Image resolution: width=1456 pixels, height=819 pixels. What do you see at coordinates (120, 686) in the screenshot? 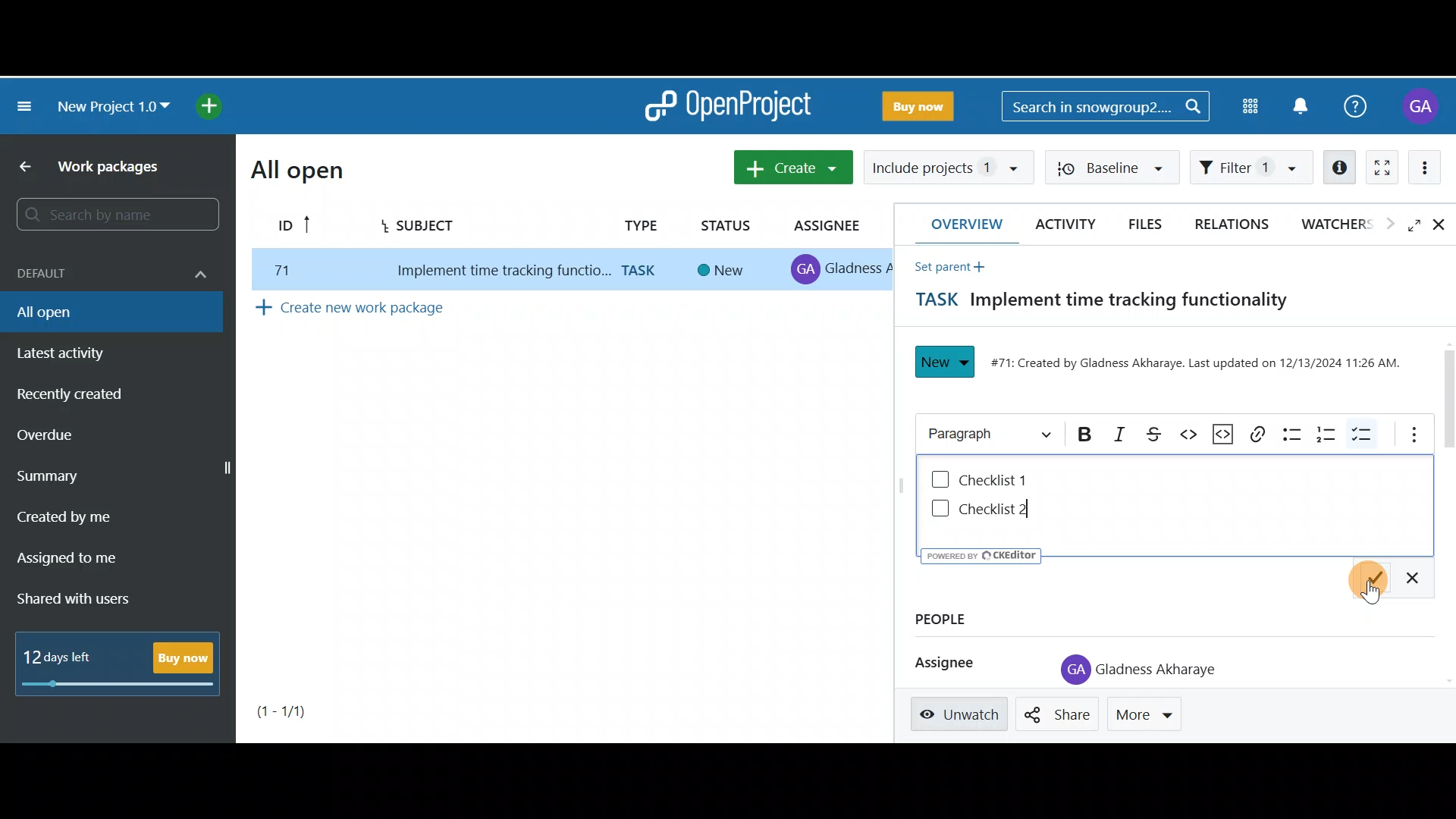
I see `progress bar` at bounding box center [120, 686].